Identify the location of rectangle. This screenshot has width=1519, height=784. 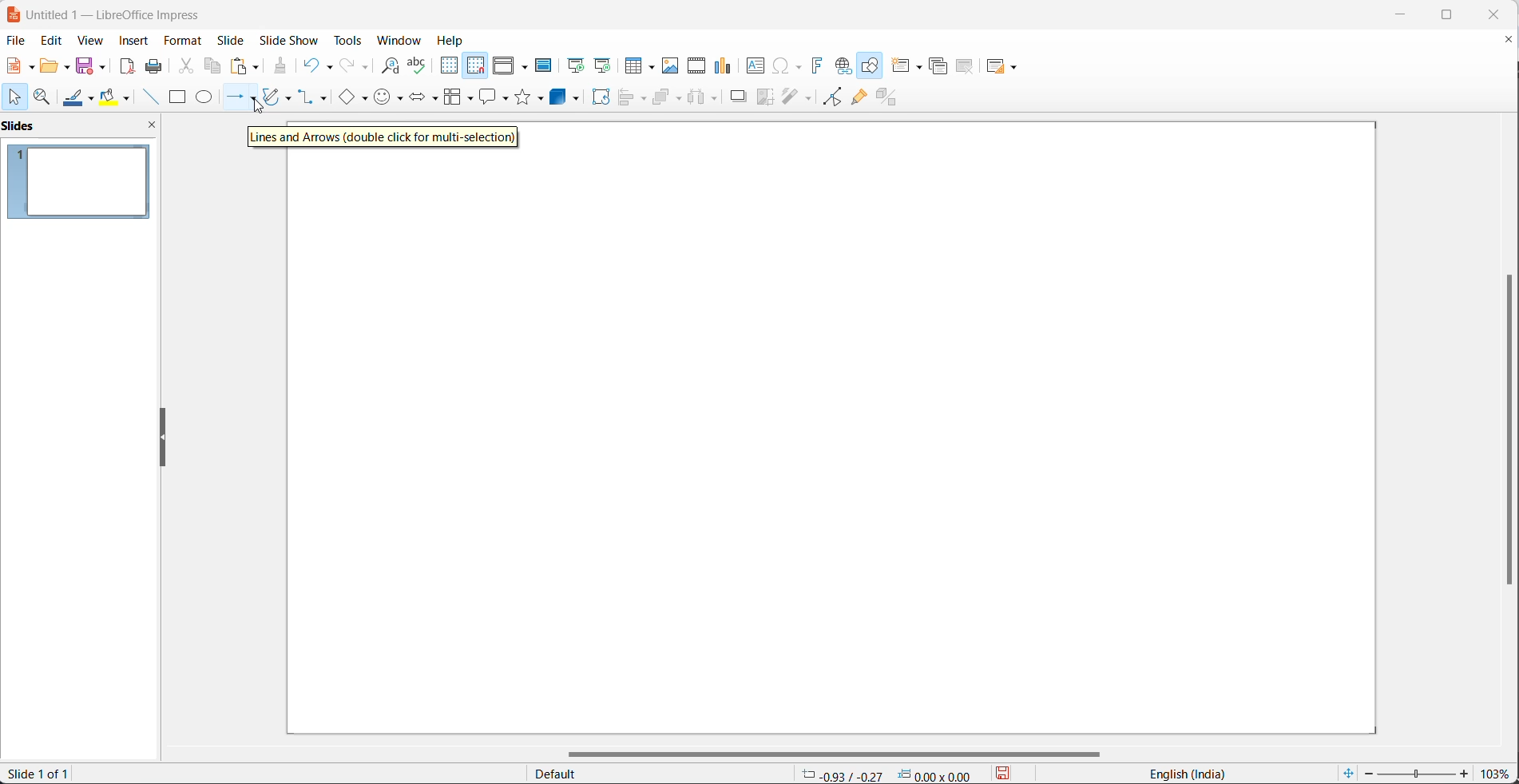
(176, 97).